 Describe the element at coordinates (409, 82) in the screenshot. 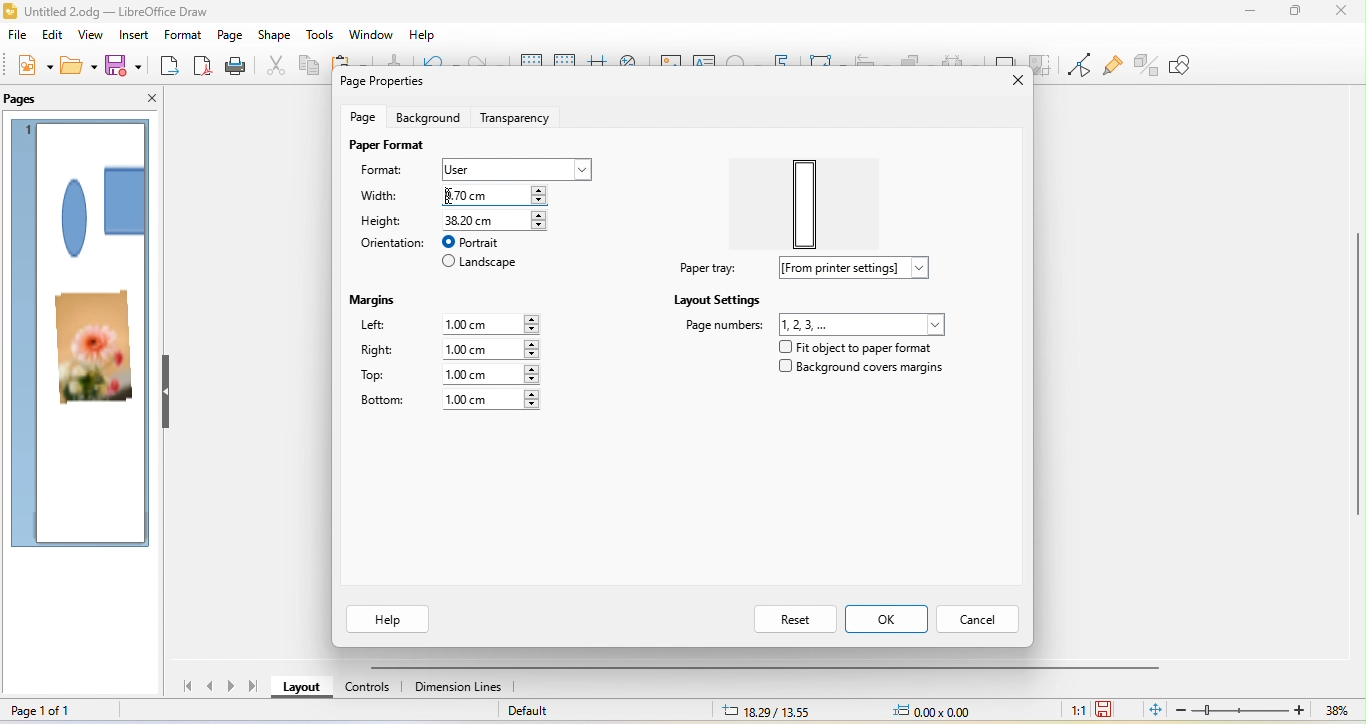

I see `page properties` at that location.